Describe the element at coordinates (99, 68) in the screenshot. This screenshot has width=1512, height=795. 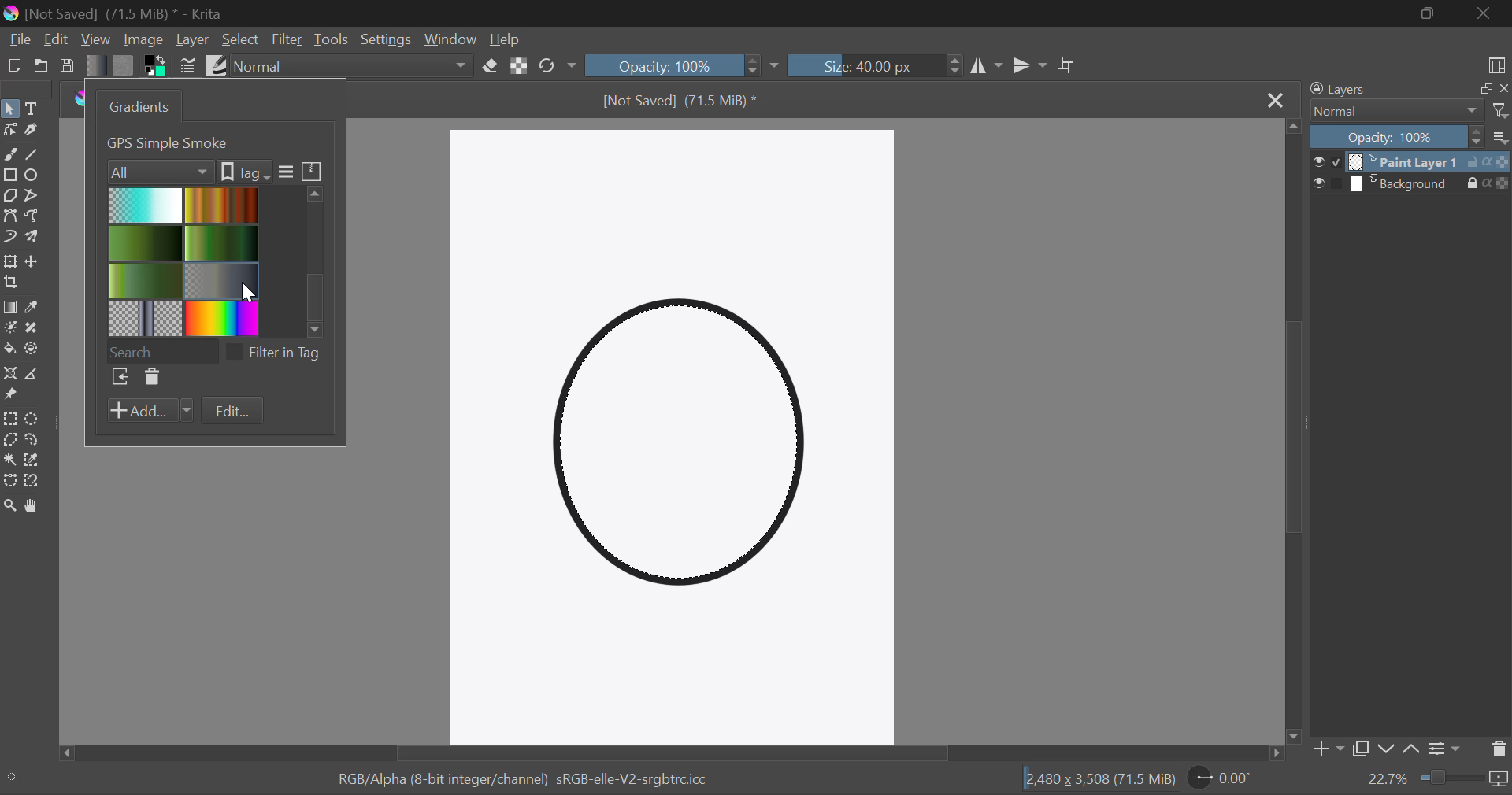
I see `Gradient` at that location.